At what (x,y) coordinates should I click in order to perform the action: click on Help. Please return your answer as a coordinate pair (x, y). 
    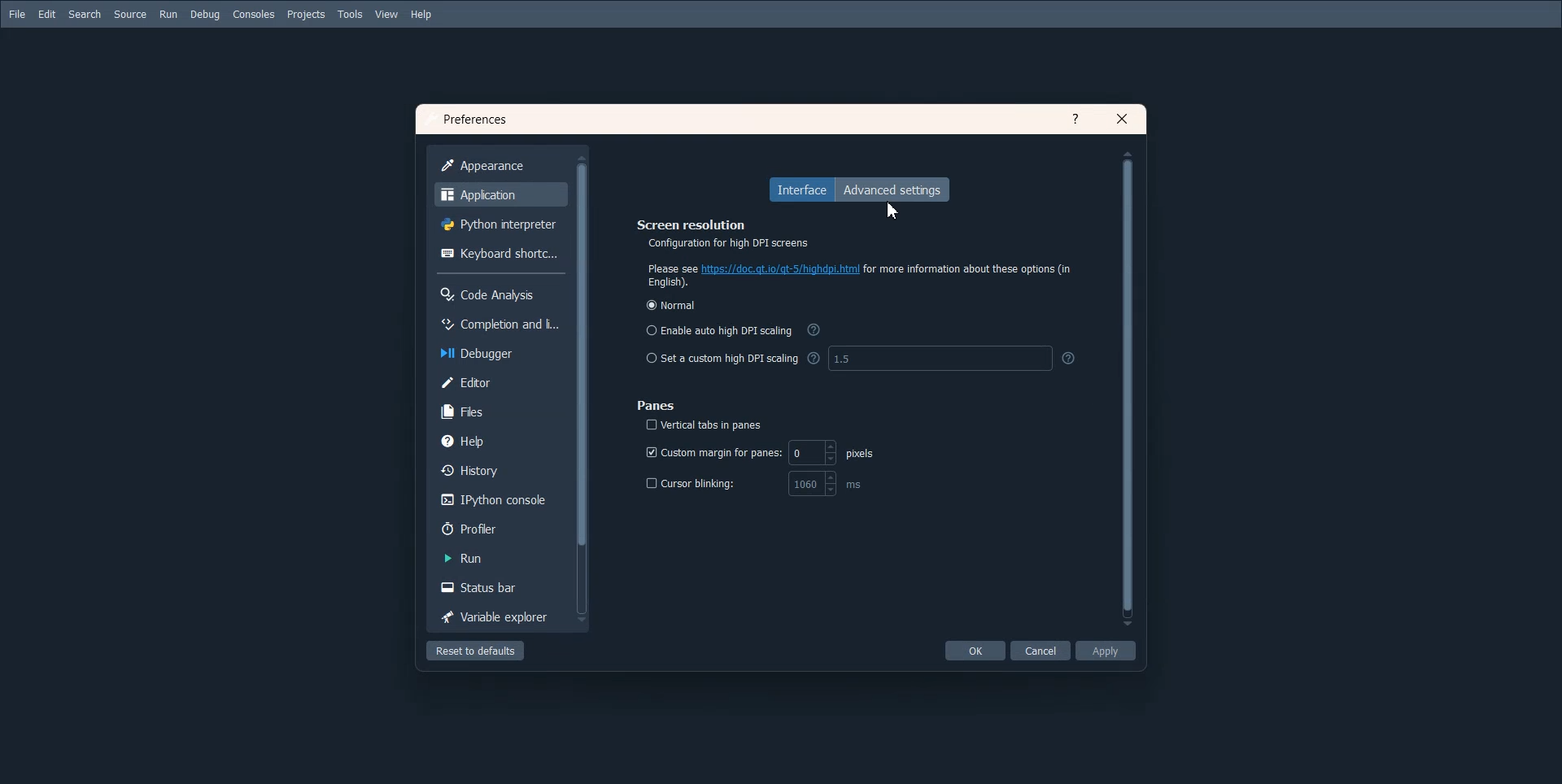
    Looking at the image, I should click on (1076, 118).